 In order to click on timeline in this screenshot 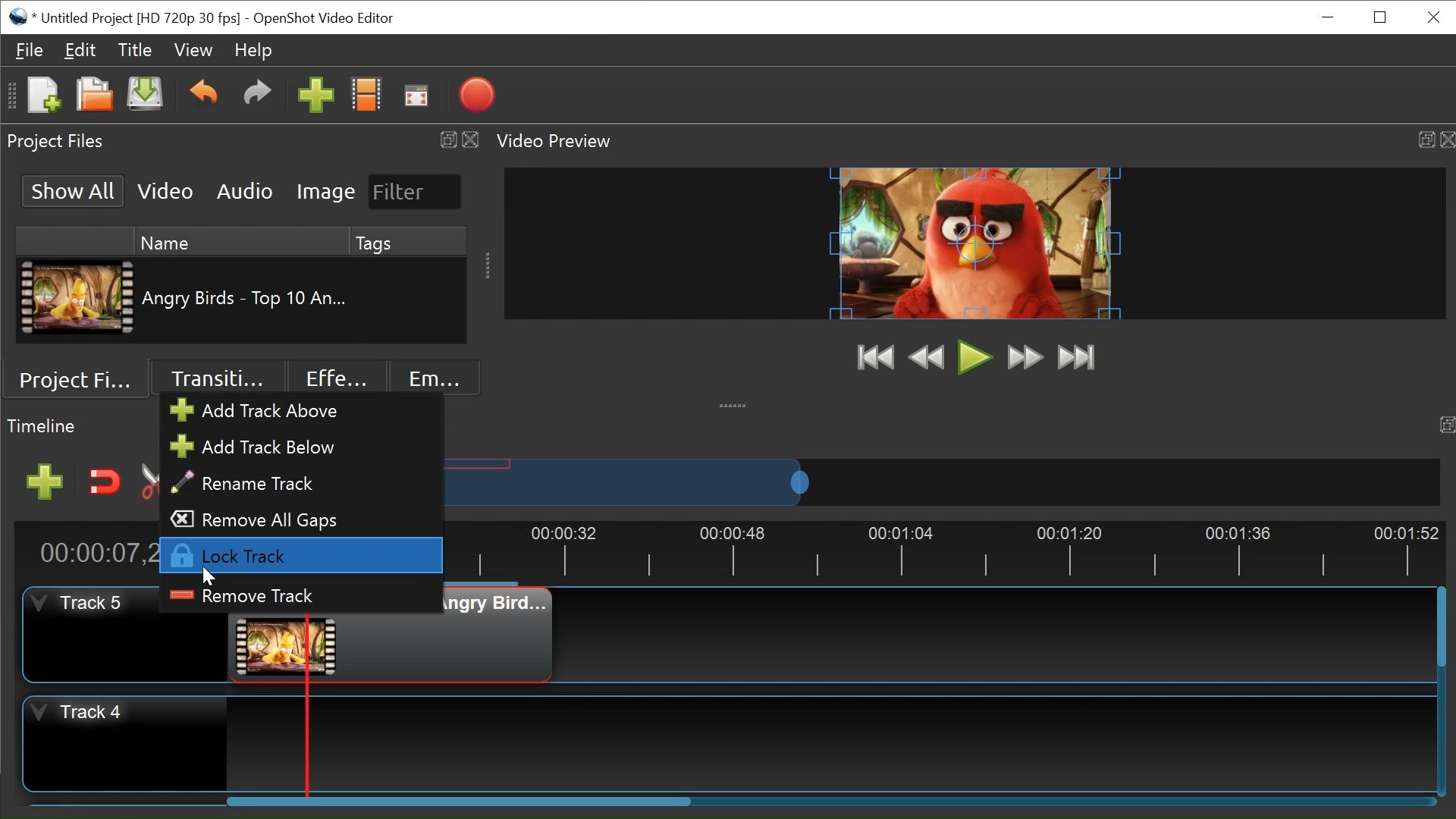, I will do `click(1439, 424)`.